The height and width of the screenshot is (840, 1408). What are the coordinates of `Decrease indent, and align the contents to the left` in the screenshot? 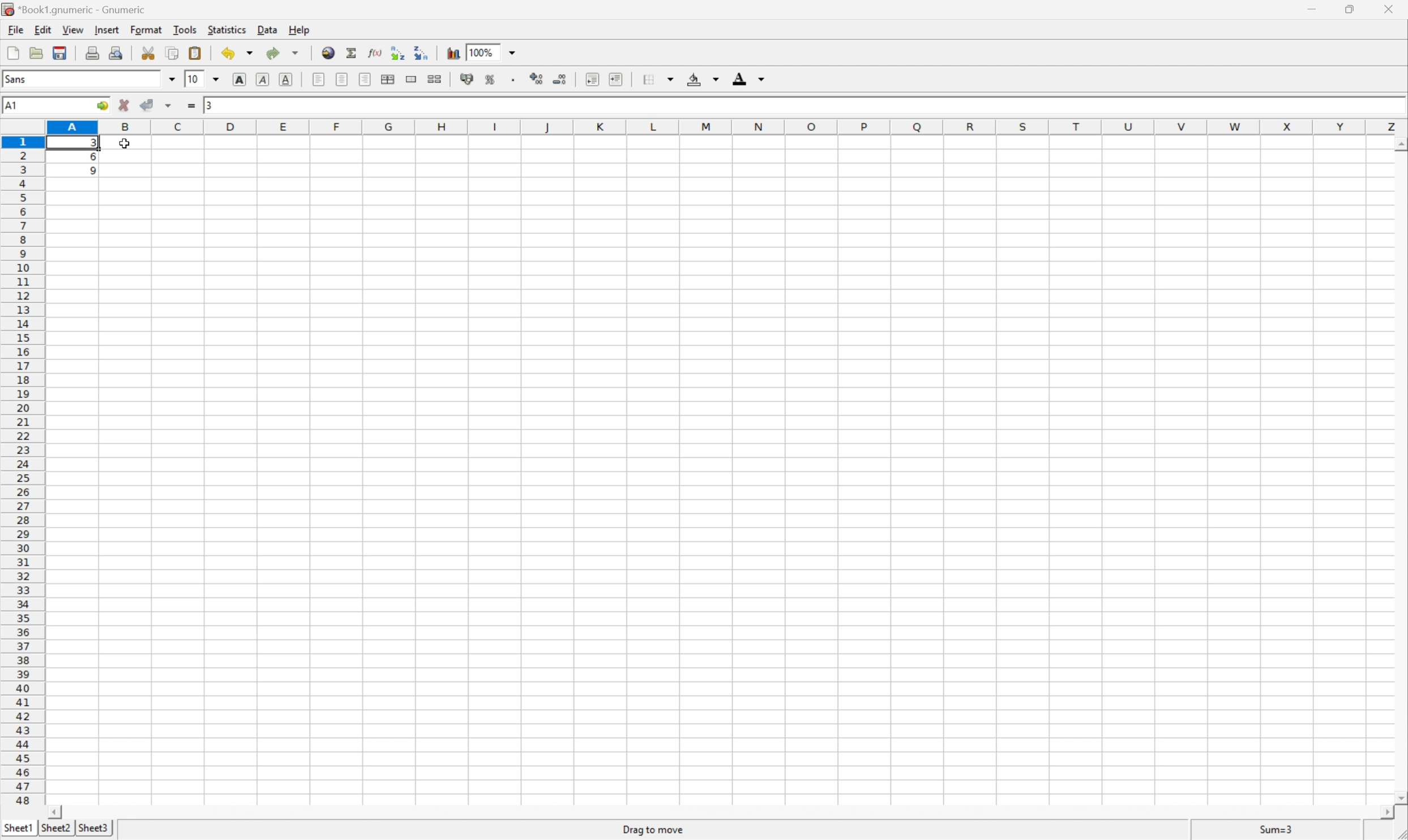 It's located at (592, 78).